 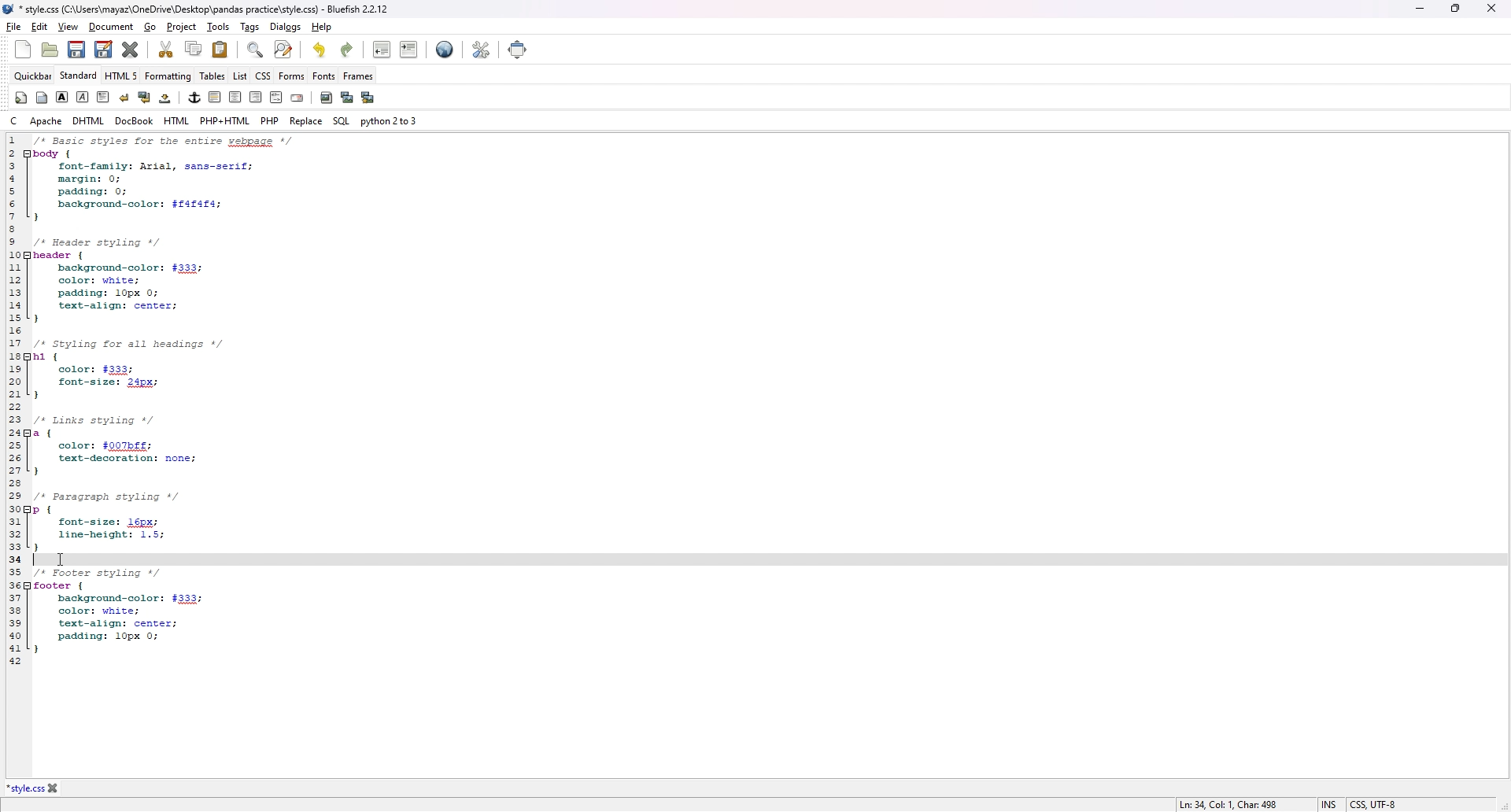 I want to click on go, so click(x=150, y=27).